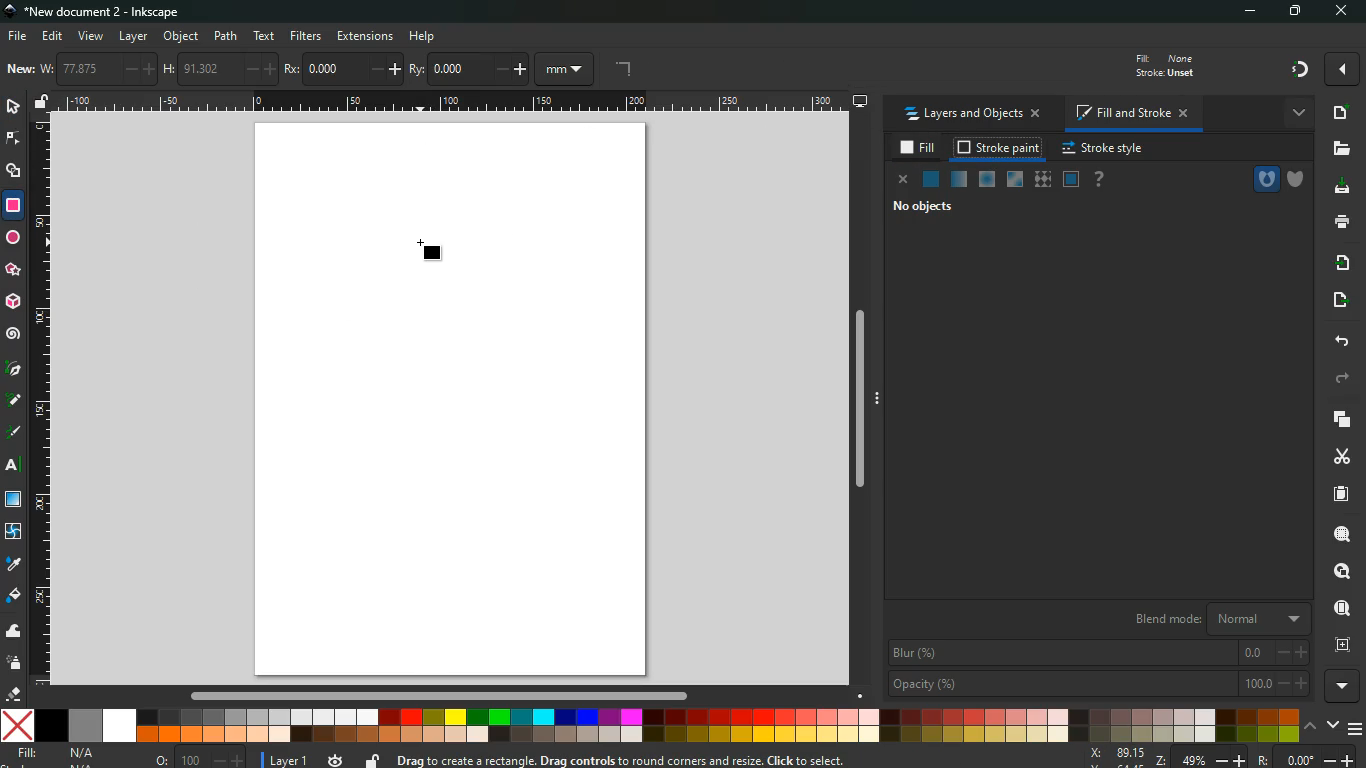  Describe the element at coordinates (12, 631) in the screenshot. I see `wave` at that location.